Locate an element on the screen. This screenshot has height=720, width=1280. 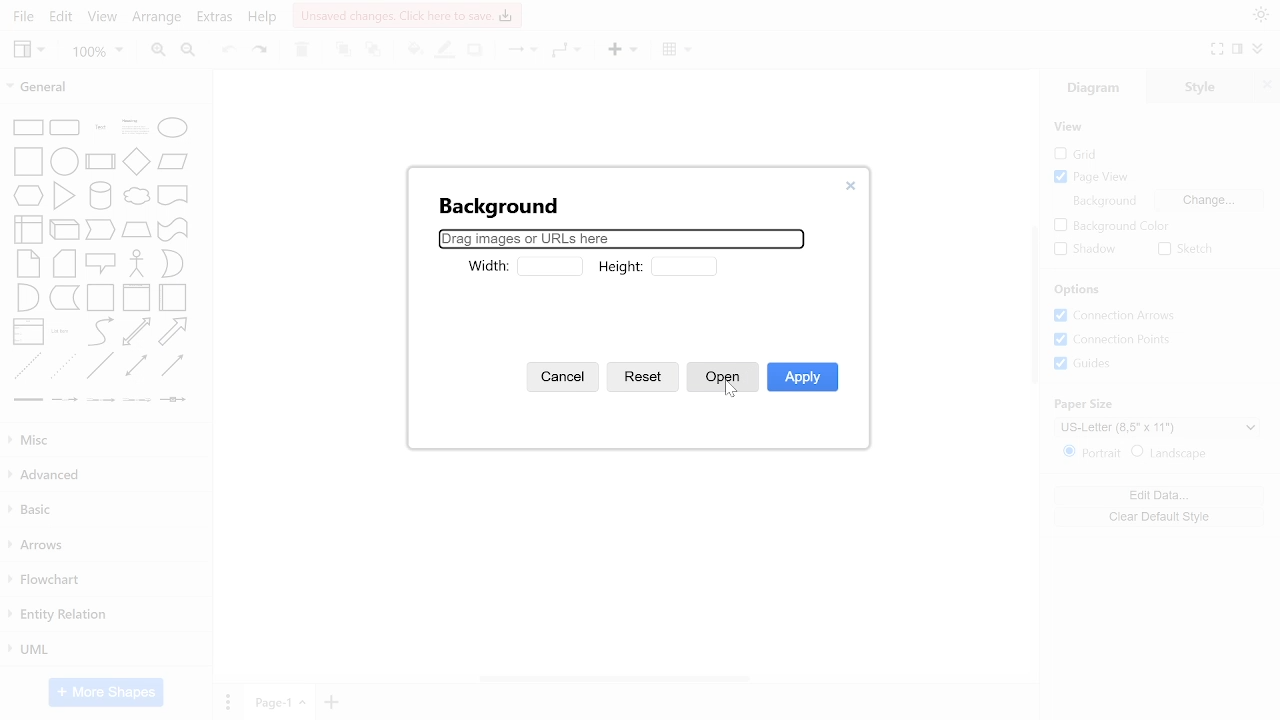
edit is located at coordinates (63, 16).